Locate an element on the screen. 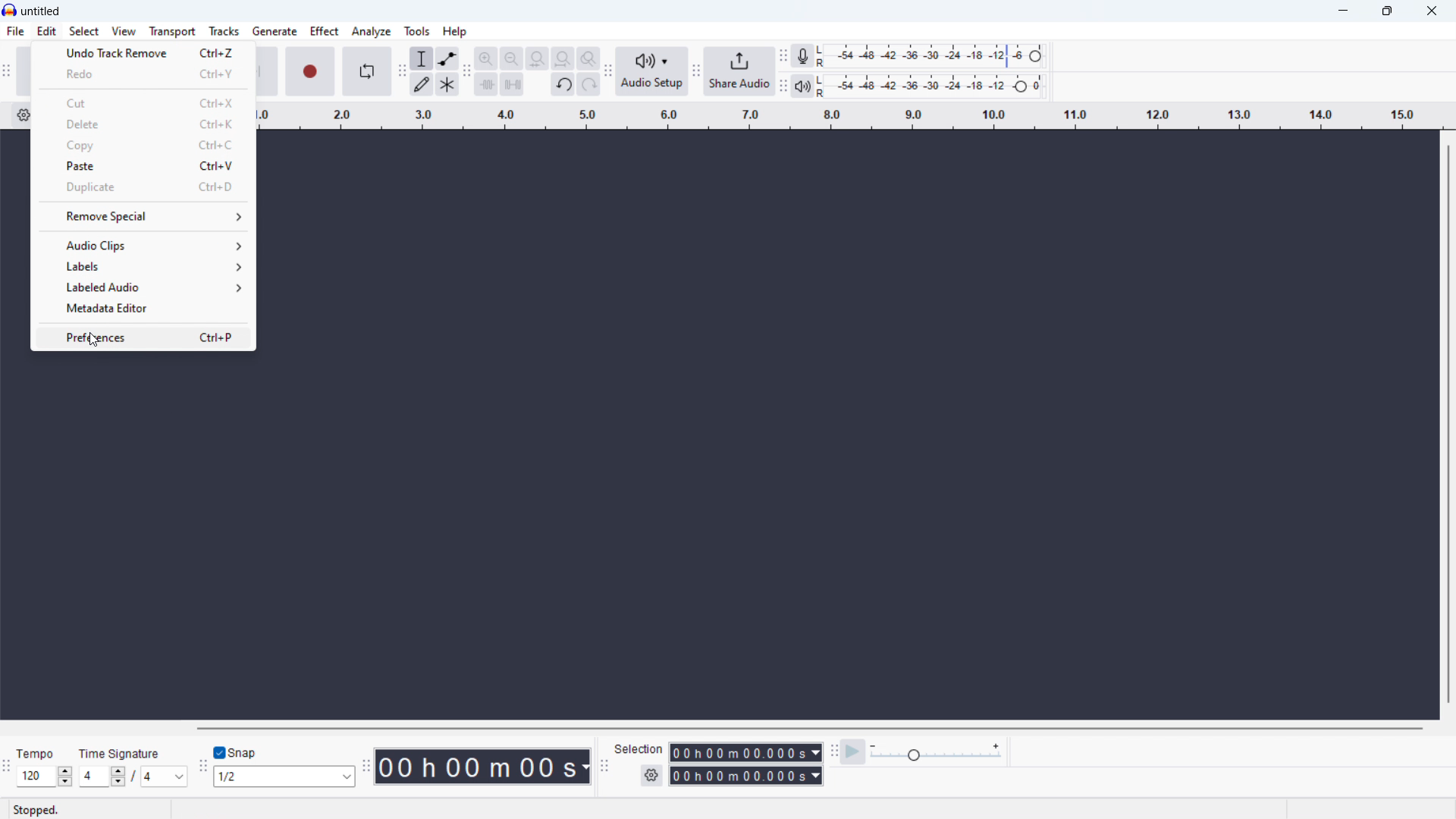  redo is located at coordinates (588, 84).